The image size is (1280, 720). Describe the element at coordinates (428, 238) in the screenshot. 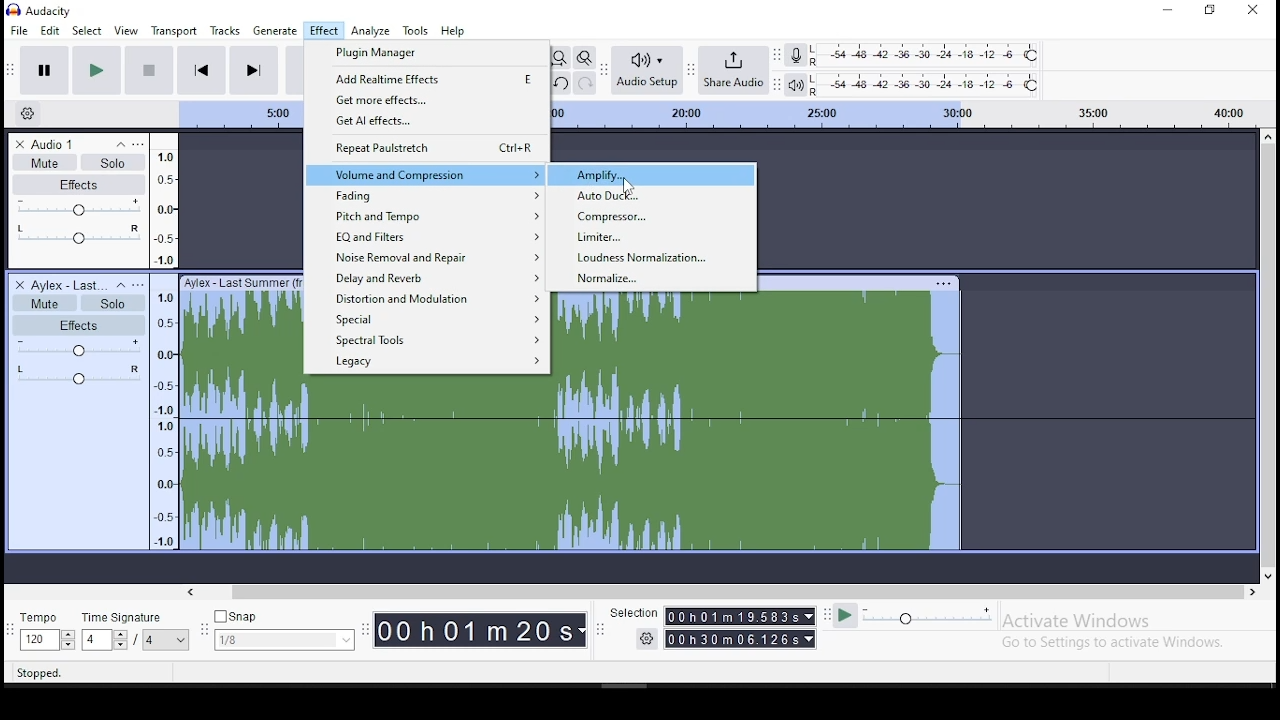

I see `EQ and filters` at that location.